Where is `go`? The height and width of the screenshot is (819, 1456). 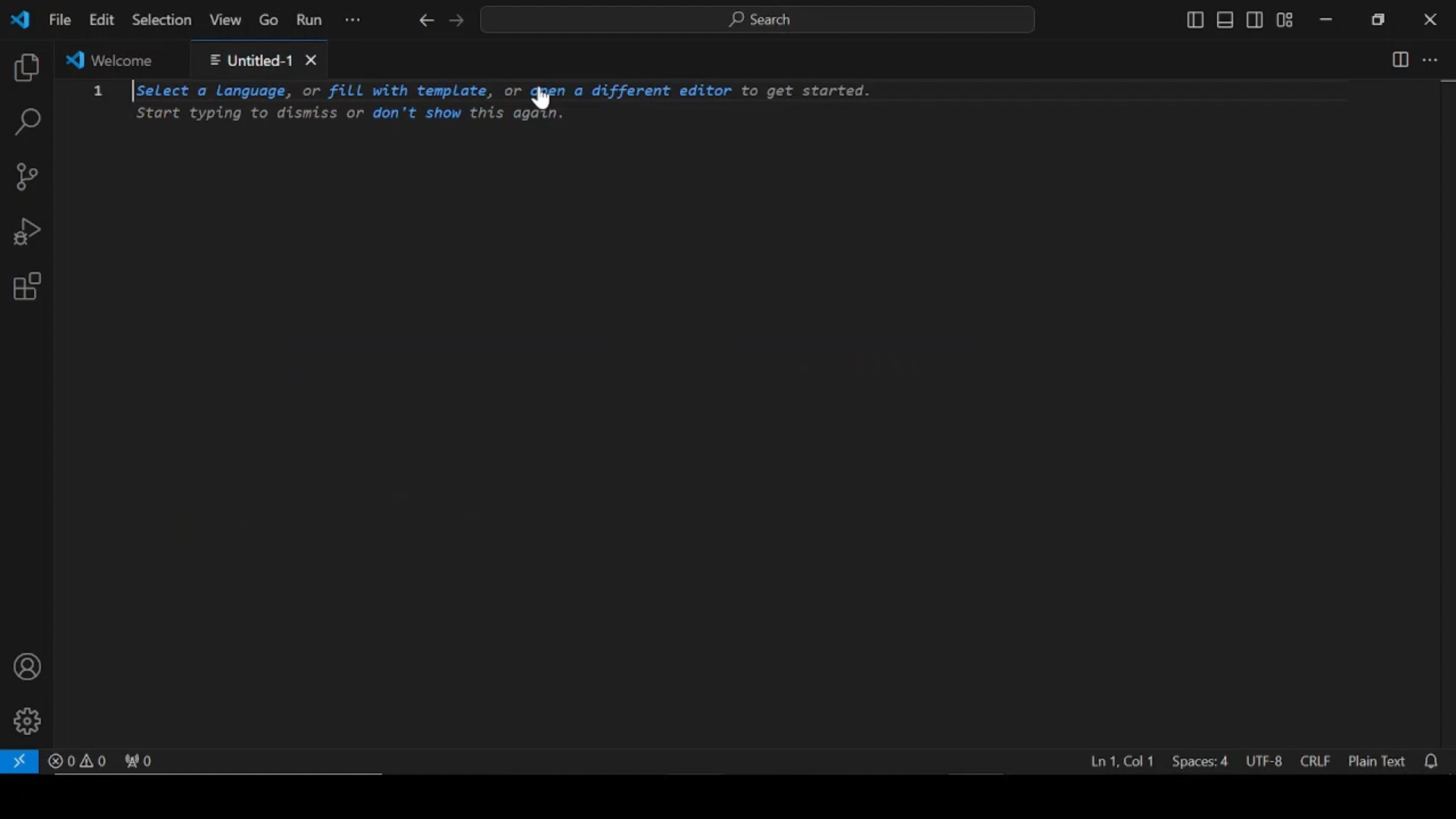
go is located at coordinates (270, 20).